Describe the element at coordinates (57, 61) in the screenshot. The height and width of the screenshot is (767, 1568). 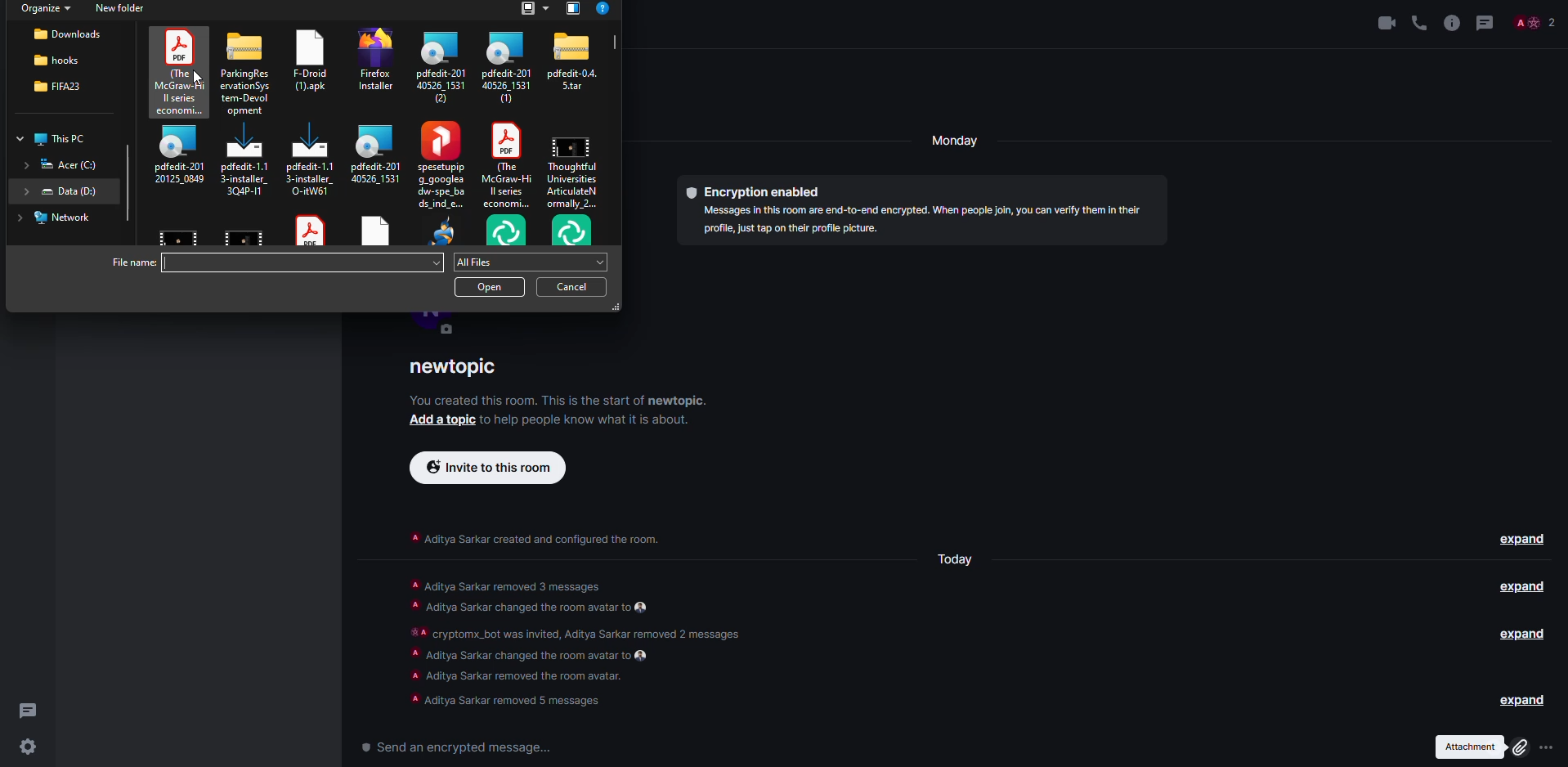
I see `location` at that location.